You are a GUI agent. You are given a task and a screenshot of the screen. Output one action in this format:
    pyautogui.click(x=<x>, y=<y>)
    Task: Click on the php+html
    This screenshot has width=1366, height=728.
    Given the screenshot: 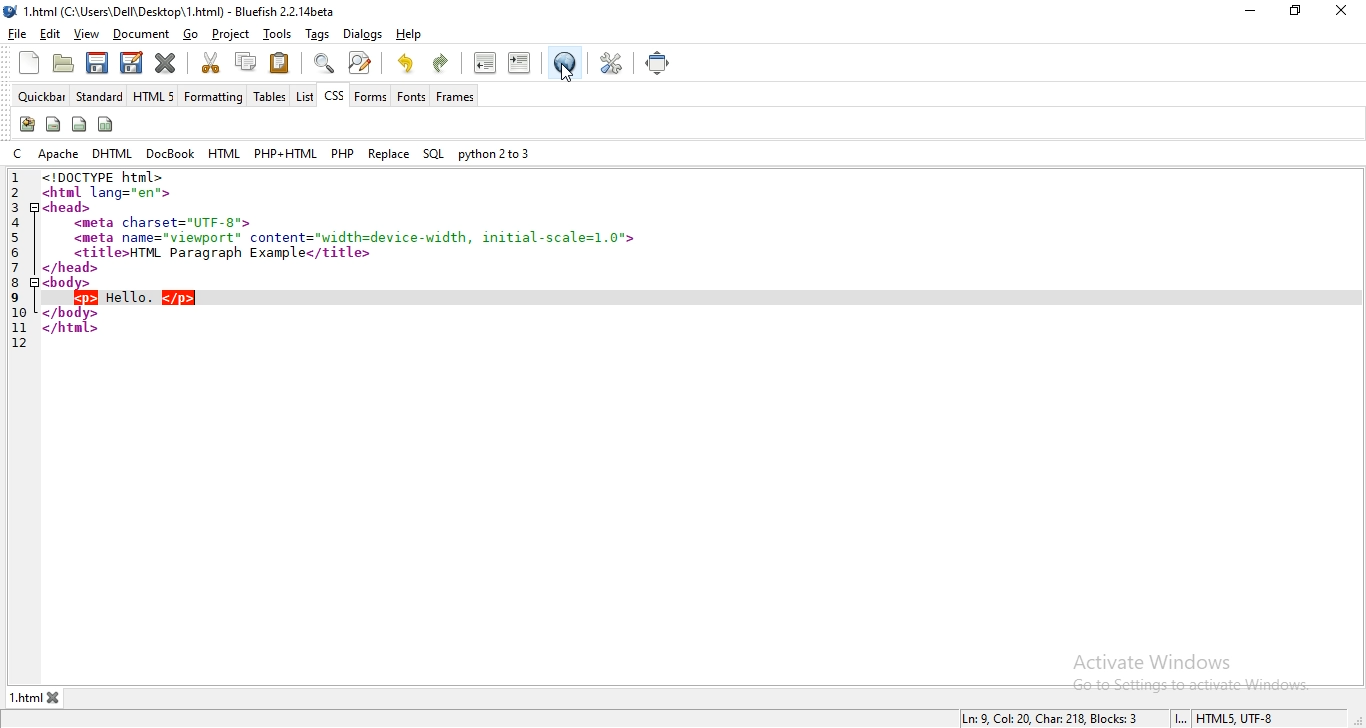 What is the action you would take?
    pyautogui.click(x=284, y=152)
    